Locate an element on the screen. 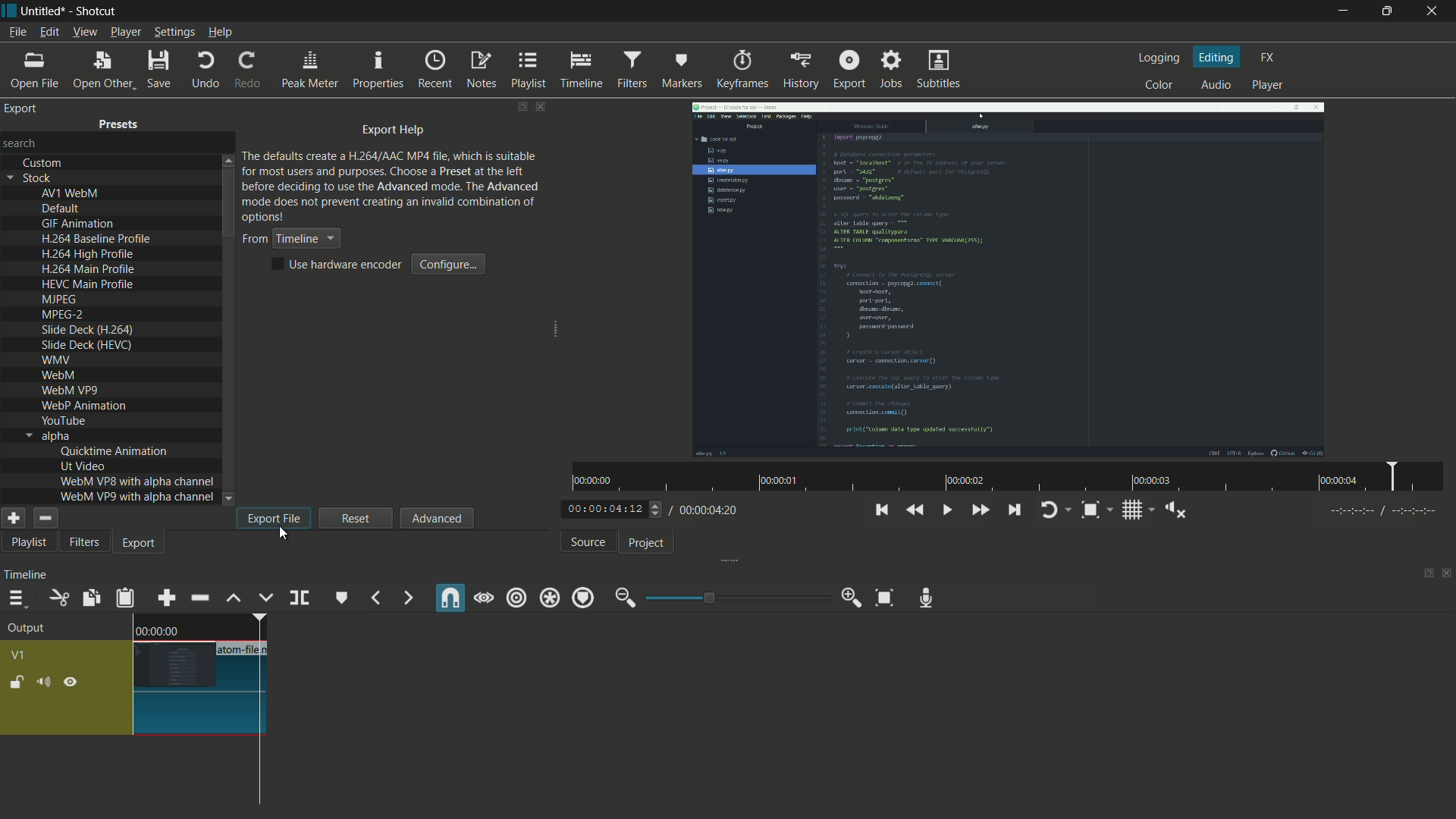 This screenshot has width=1456, height=819. export is located at coordinates (140, 545).